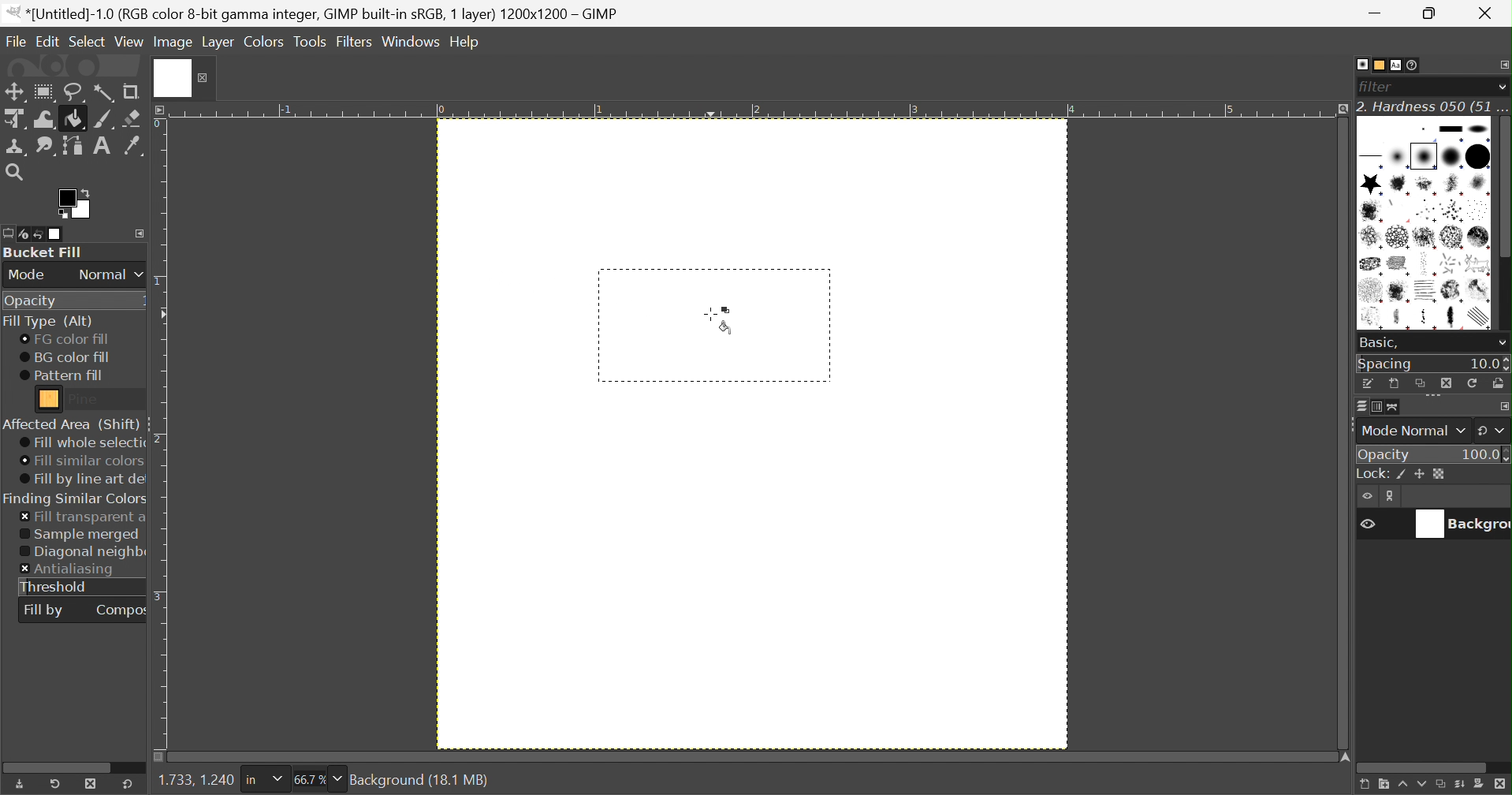 This screenshot has height=795, width=1512. Describe the element at coordinates (1371, 184) in the screenshot. I see `Star` at that location.